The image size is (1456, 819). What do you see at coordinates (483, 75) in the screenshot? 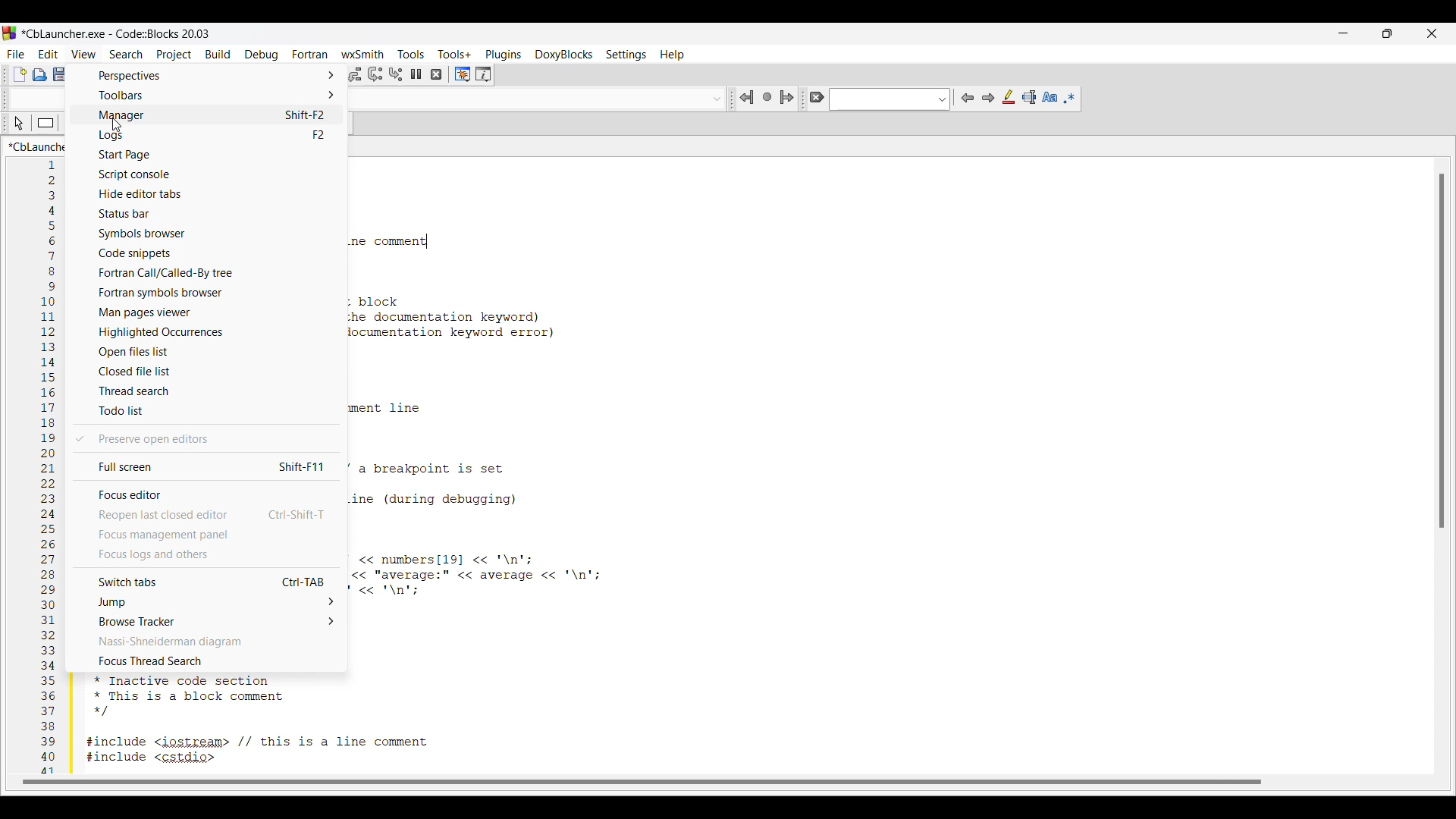
I see `` at bounding box center [483, 75].